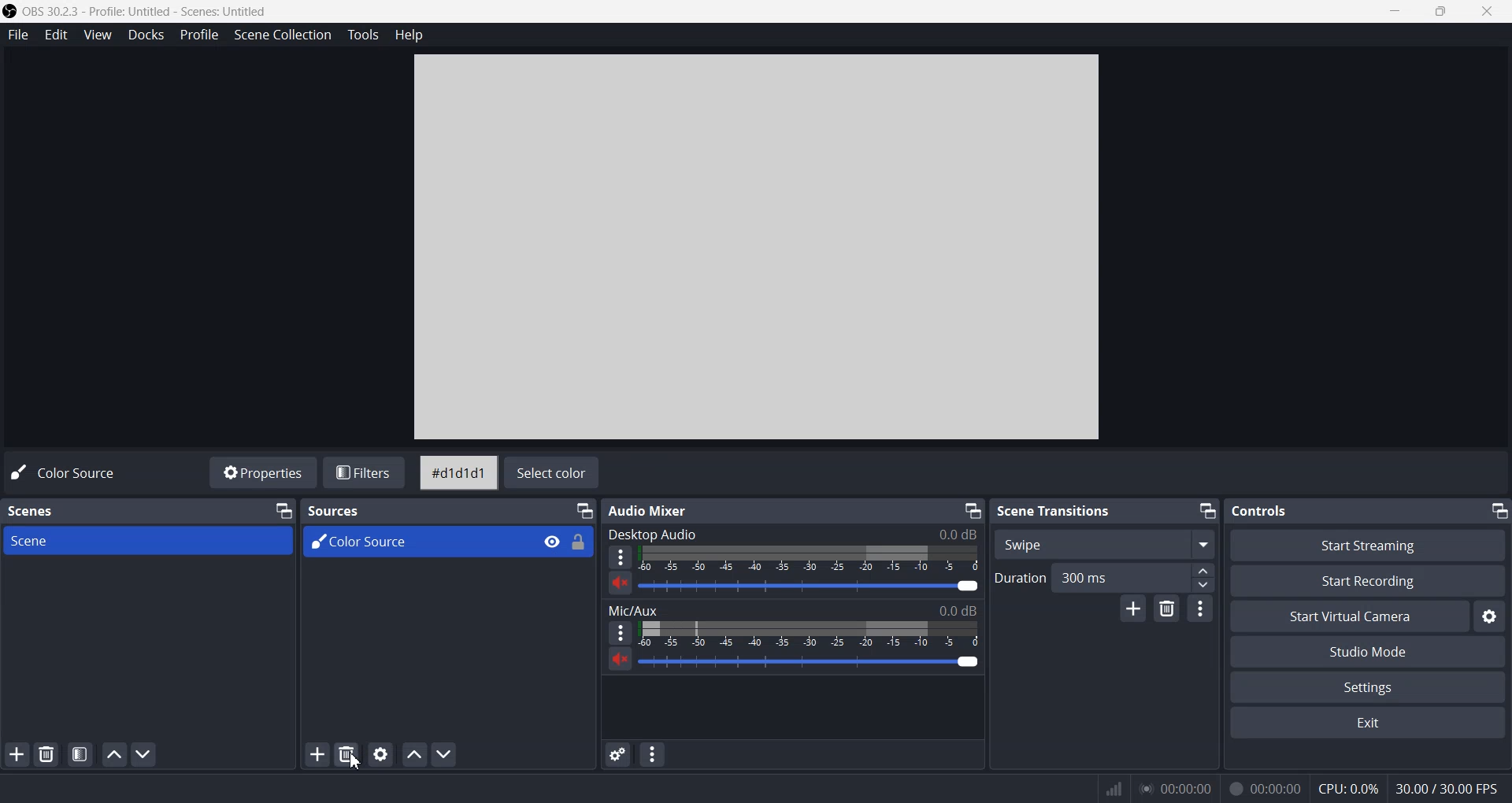 Image resolution: width=1512 pixels, height=803 pixels. What do you see at coordinates (584, 510) in the screenshot?
I see `Minimize` at bounding box center [584, 510].